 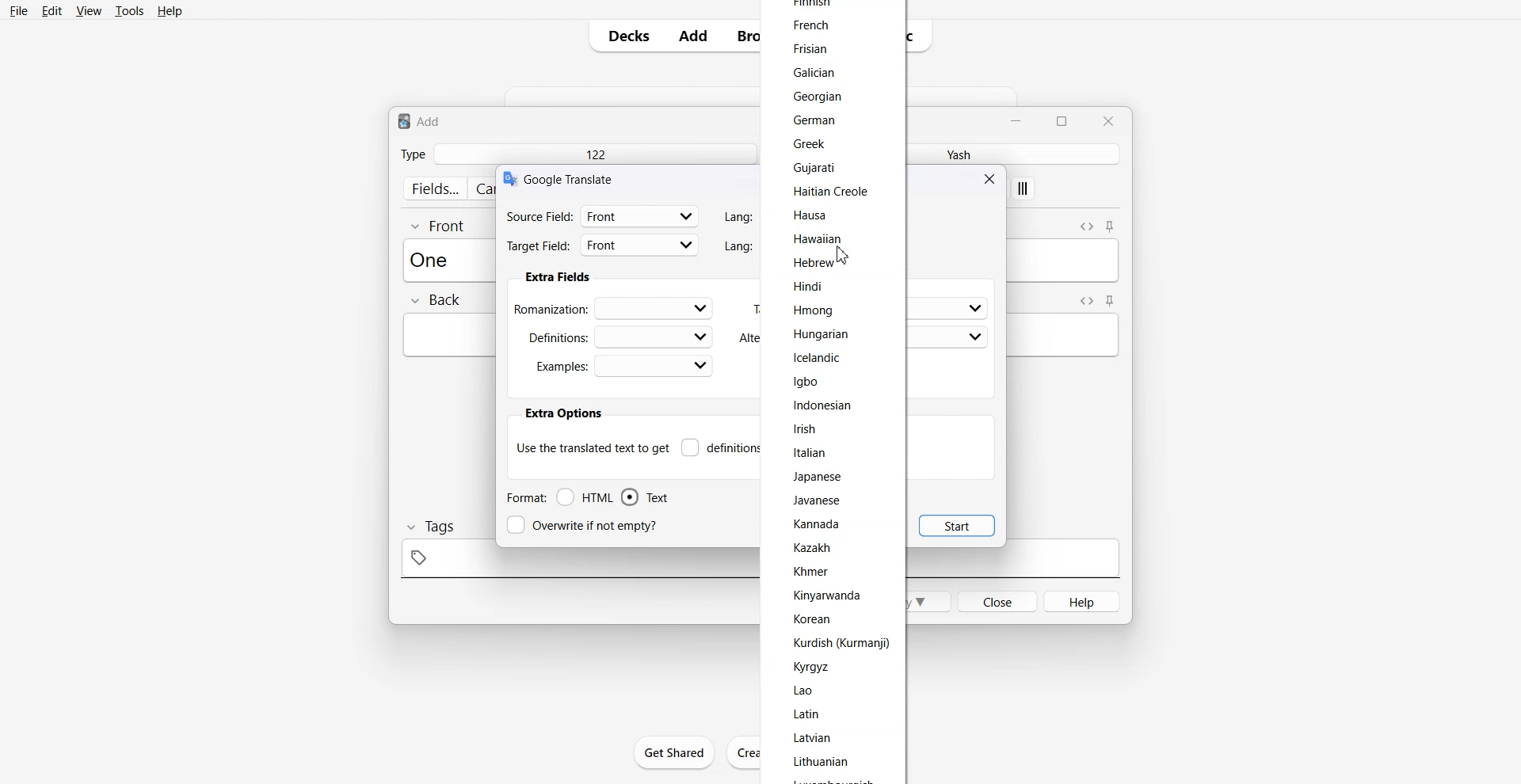 What do you see at coordinates (170, 10) in the screenshot?
I see `Help` at bounding box center [170, 10].